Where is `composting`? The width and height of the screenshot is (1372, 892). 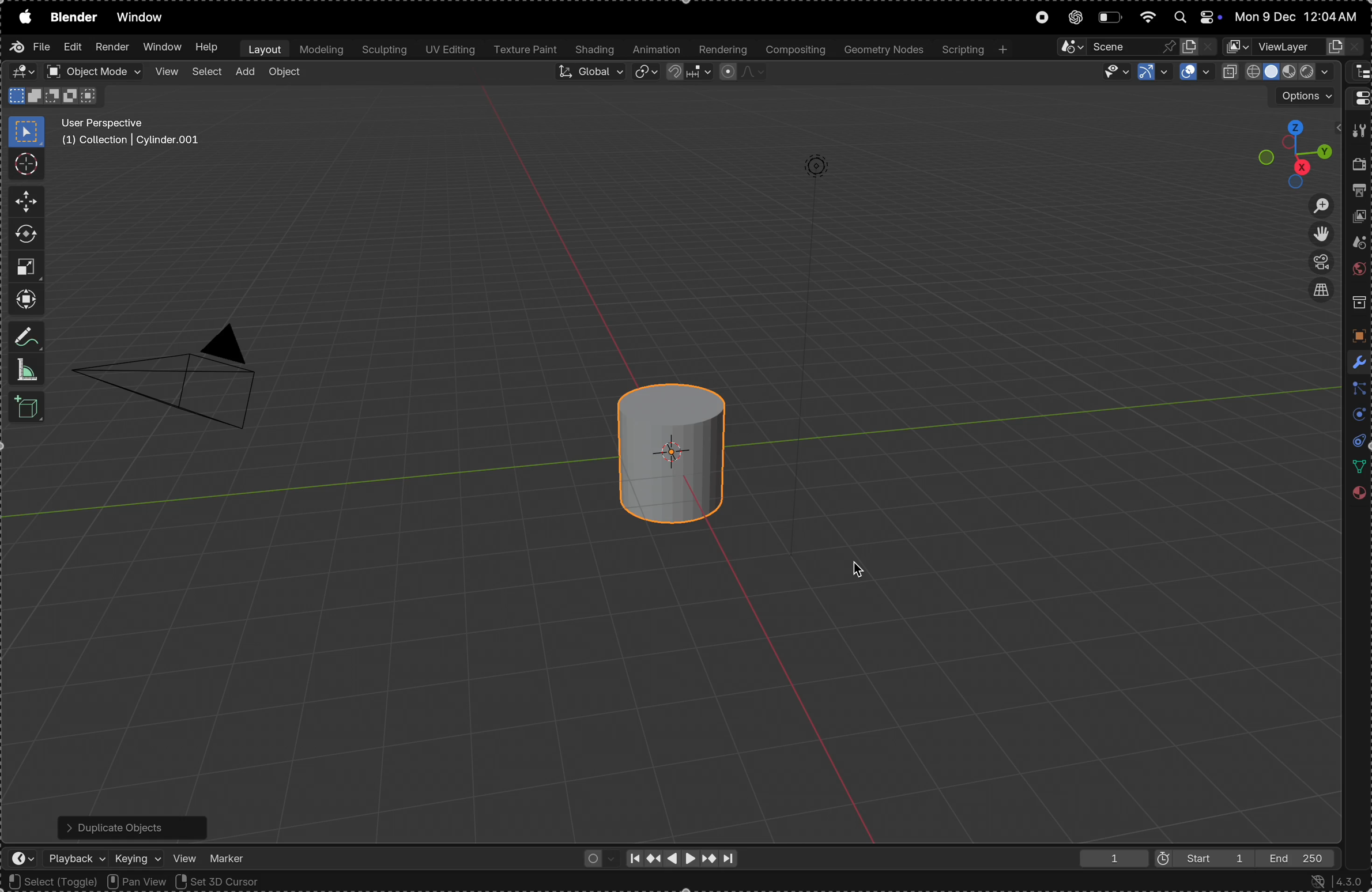 composting is located at coordinates (794, 50).